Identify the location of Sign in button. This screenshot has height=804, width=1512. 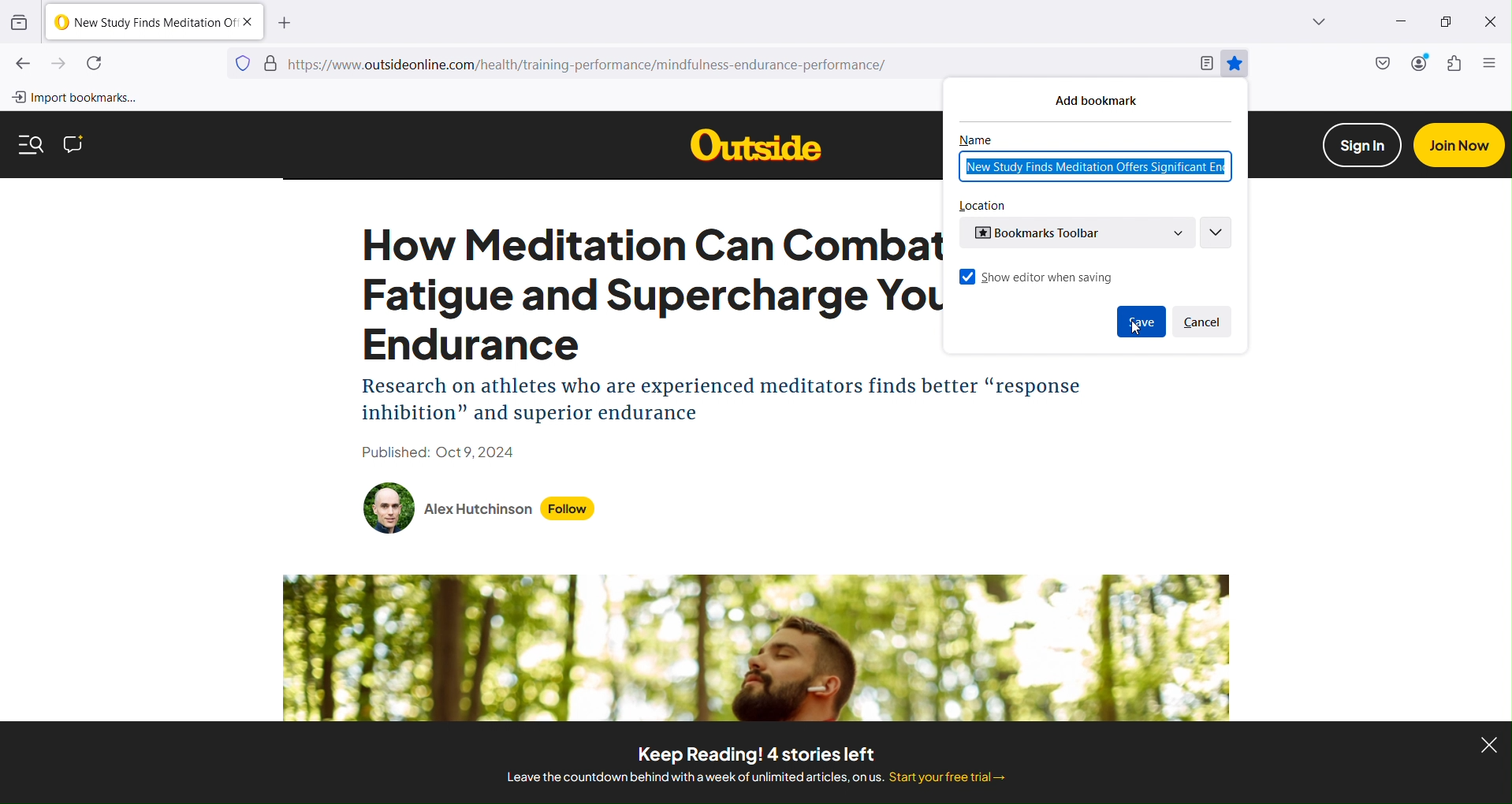
(1362, 145).